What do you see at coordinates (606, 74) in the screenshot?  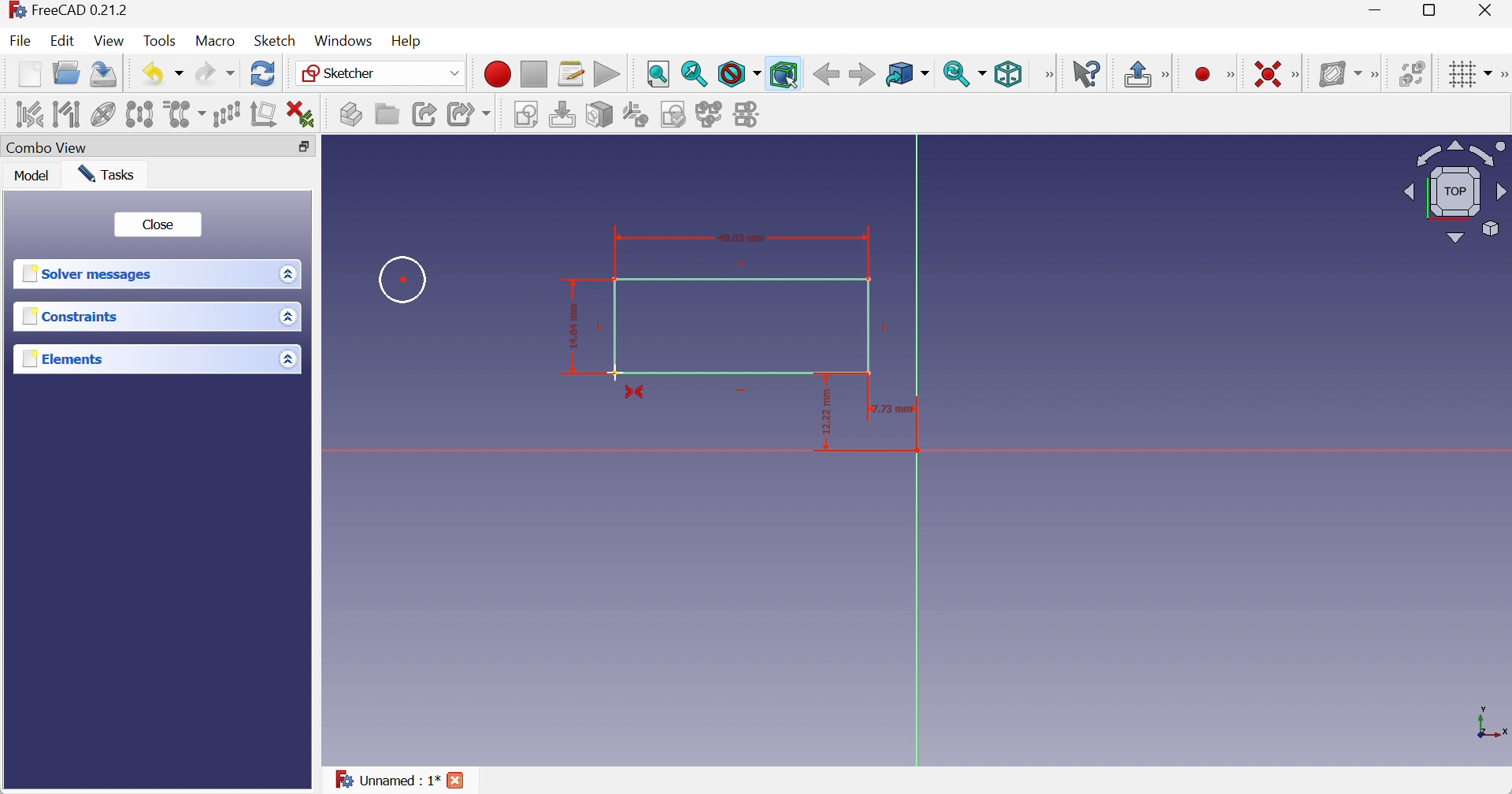 I see `Execute macro` at bounding box center [606, 74].